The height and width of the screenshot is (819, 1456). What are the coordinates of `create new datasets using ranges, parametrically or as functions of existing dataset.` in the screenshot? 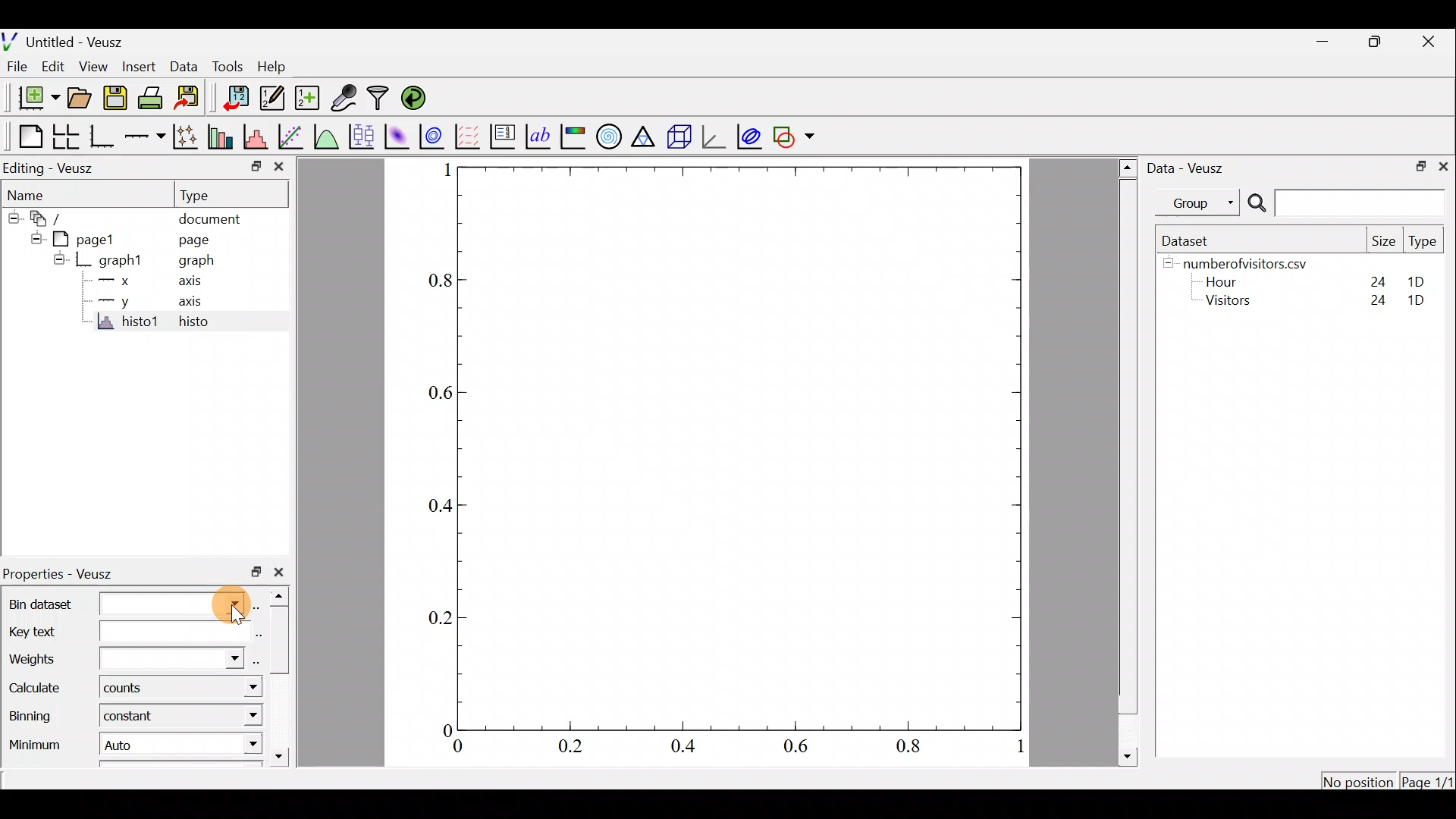 It's located at (309, 96).